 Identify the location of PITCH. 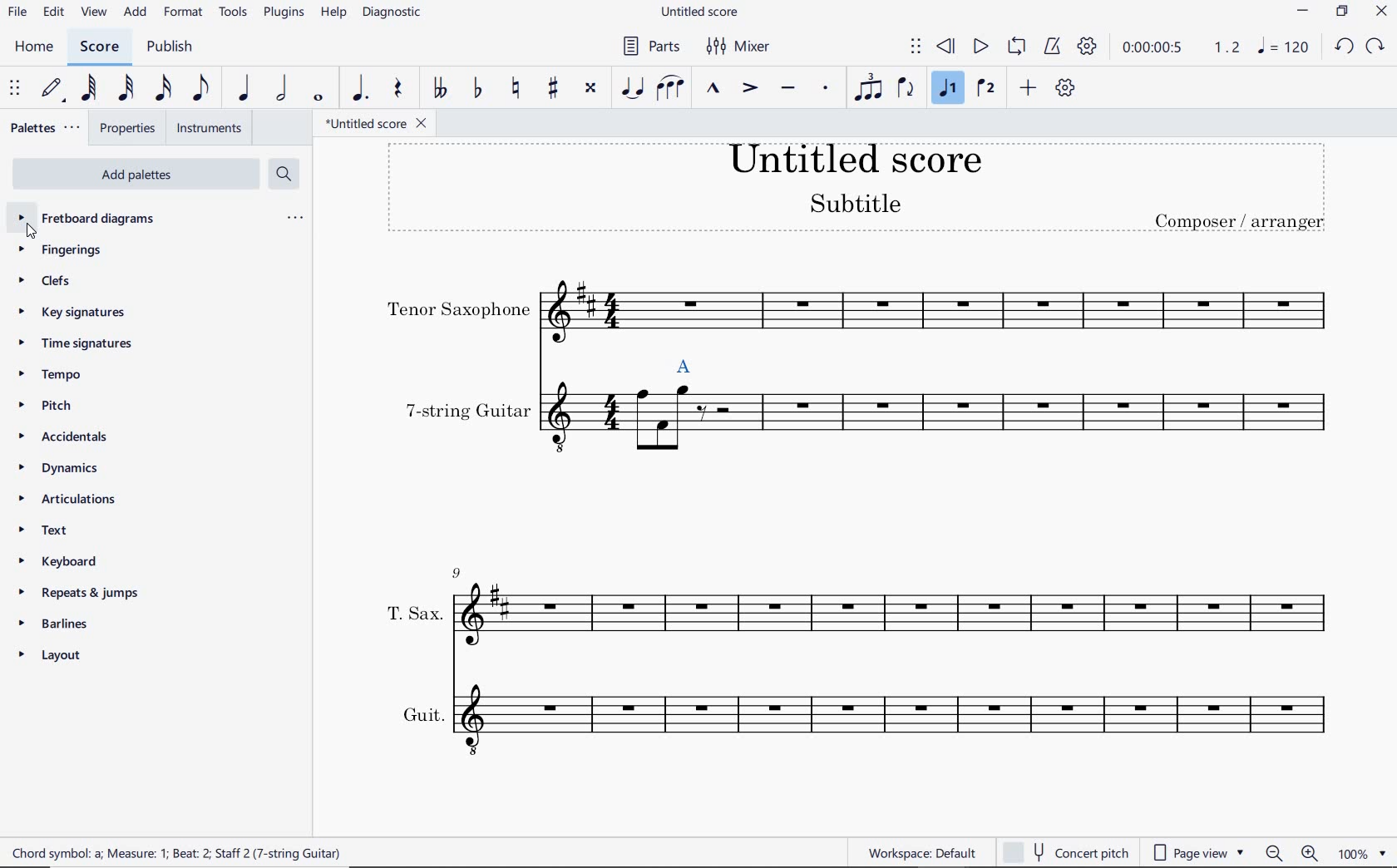
(53, 404).